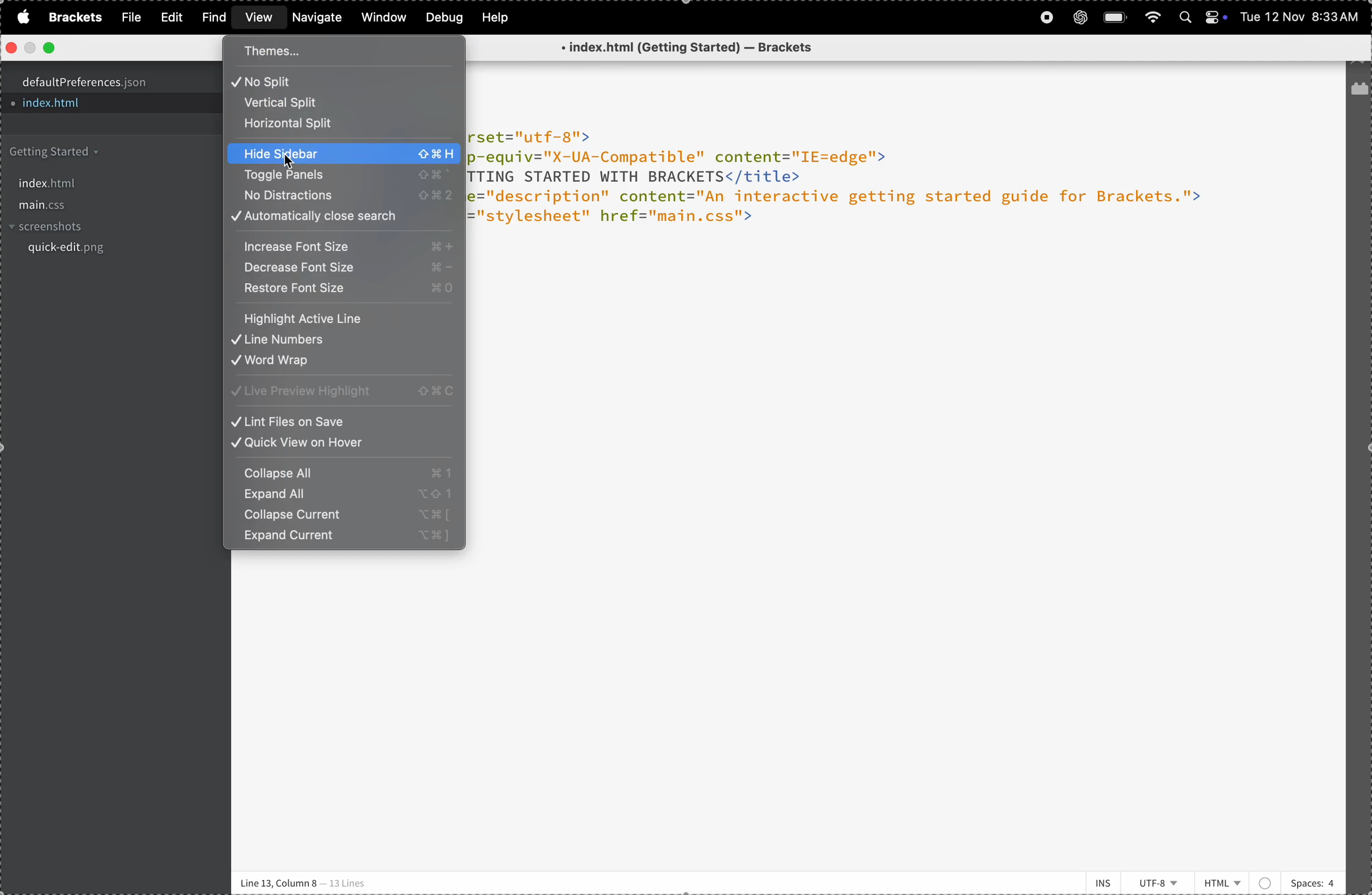 The height and width of the screenshot is (895, 1372). What do you see at coordinates (1237, 879) in the screenshot?
I see `html ` at bounding box center [1237, 879].